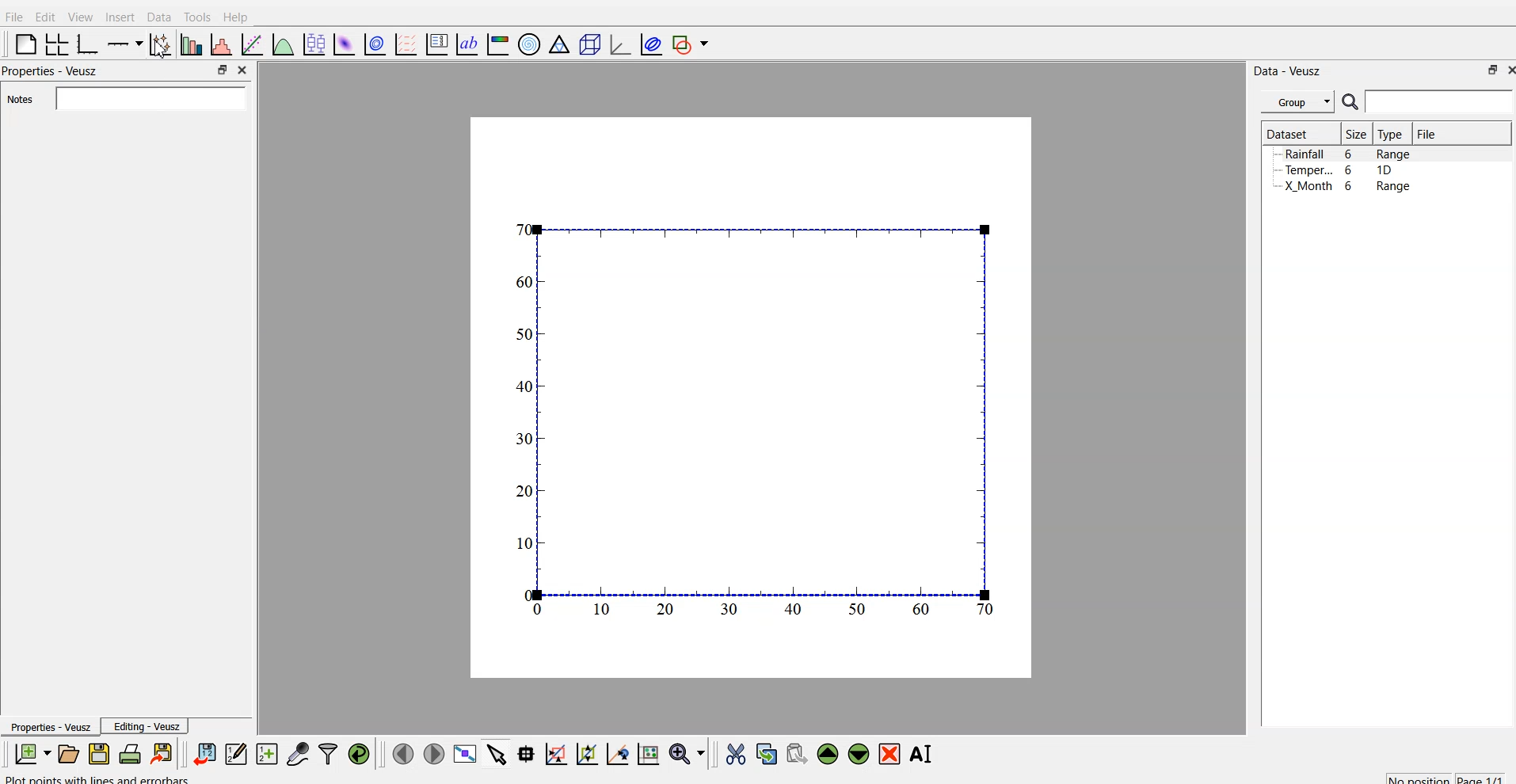 The width and height of the screenshot is (1516, 784). Describe the element at coordinates (283, 45) in the screenshot. I see `plot function` at that location.